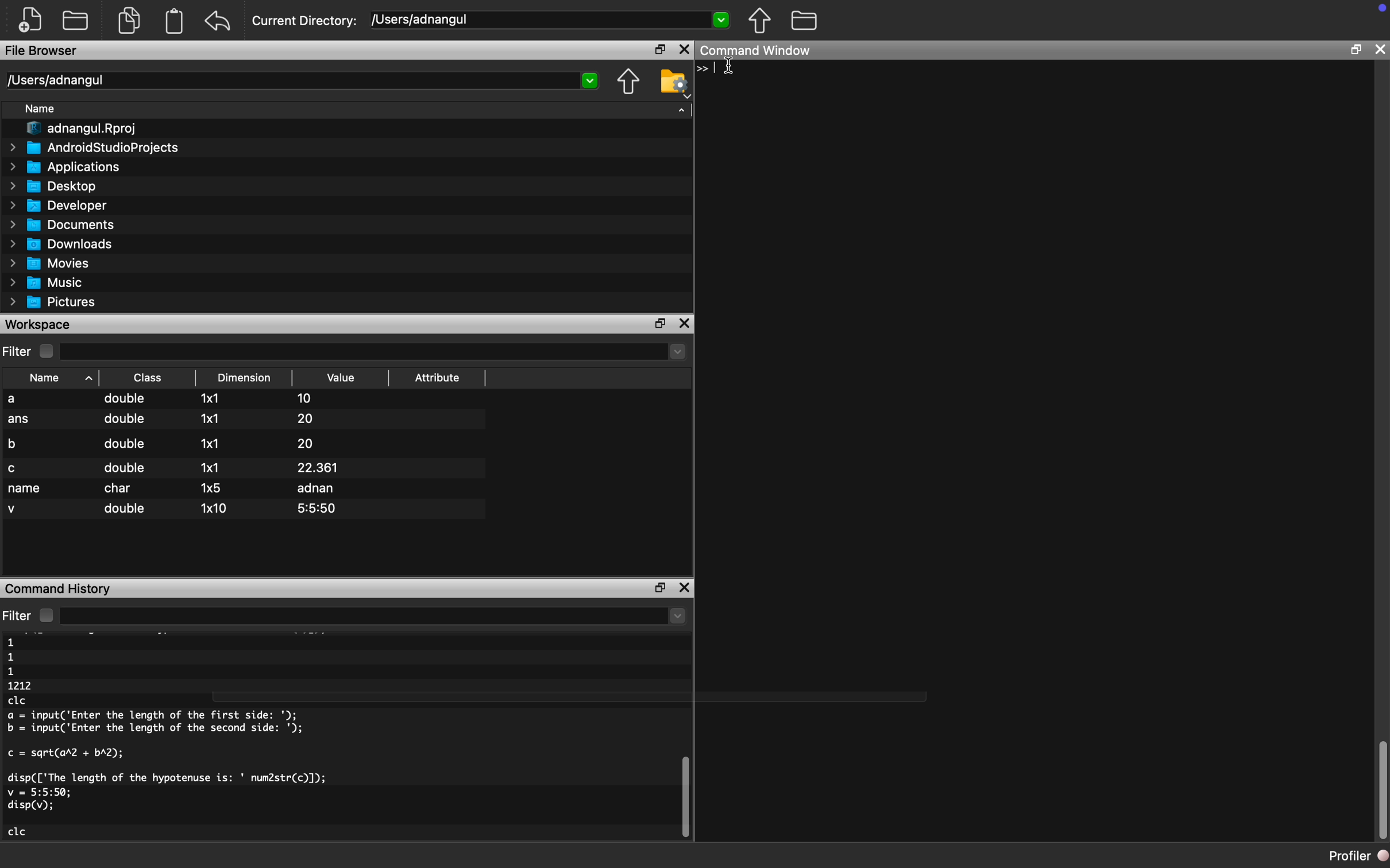  Describe the element at coordinates (126, 509) in the screenshot. I see `double` at that location.